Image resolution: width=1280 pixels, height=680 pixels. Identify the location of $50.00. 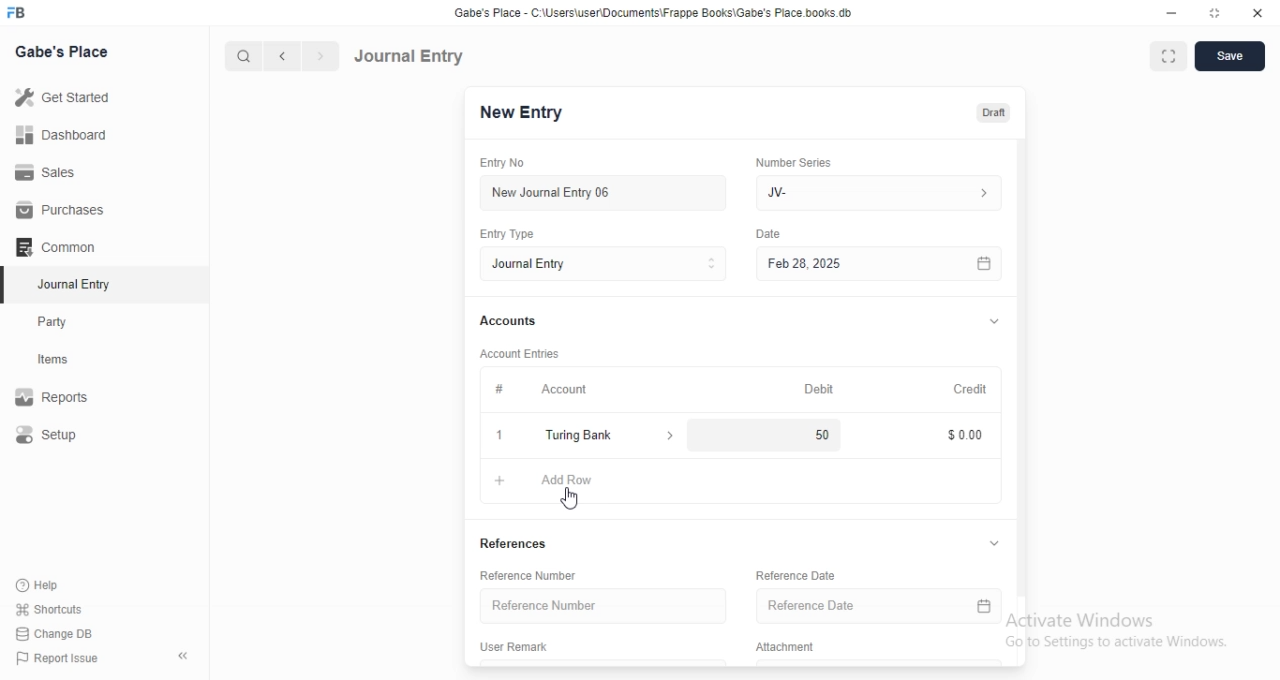
(821, 434).